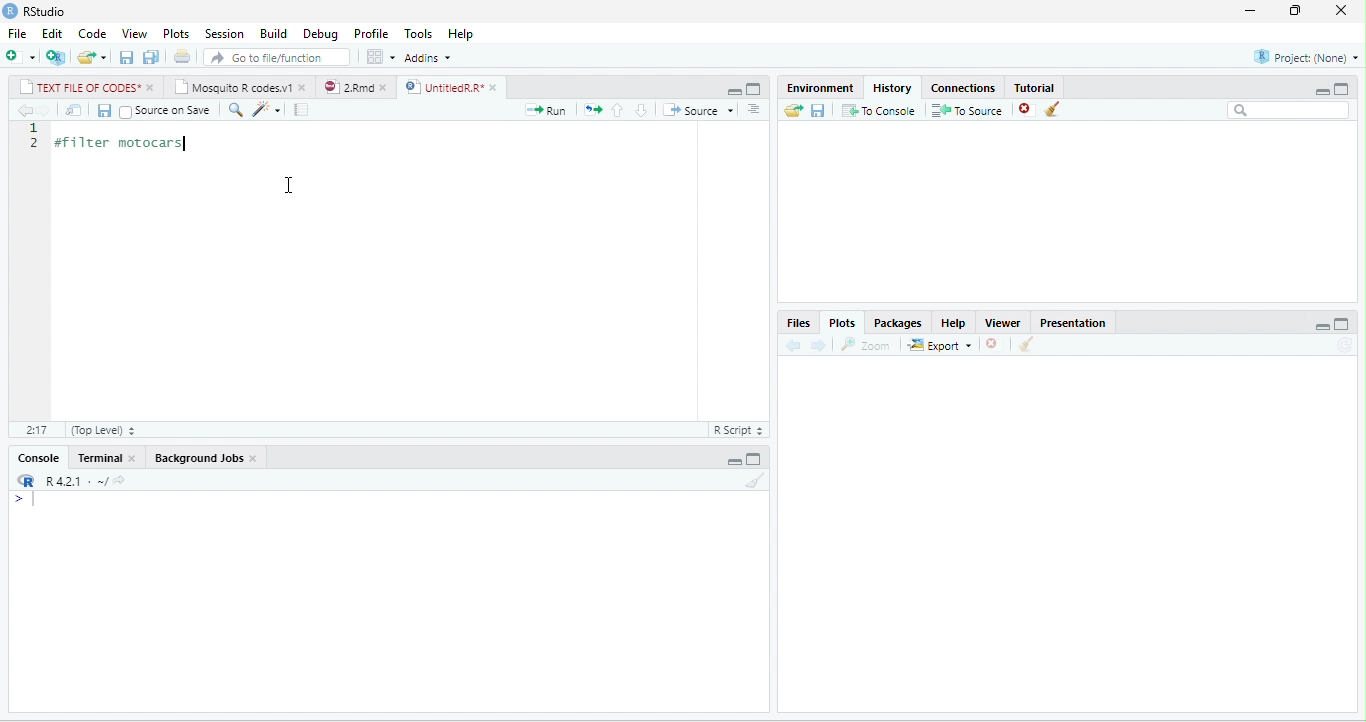 This screenshot has width=1366, height=722. I want to click on Addins, so click(427, 57).